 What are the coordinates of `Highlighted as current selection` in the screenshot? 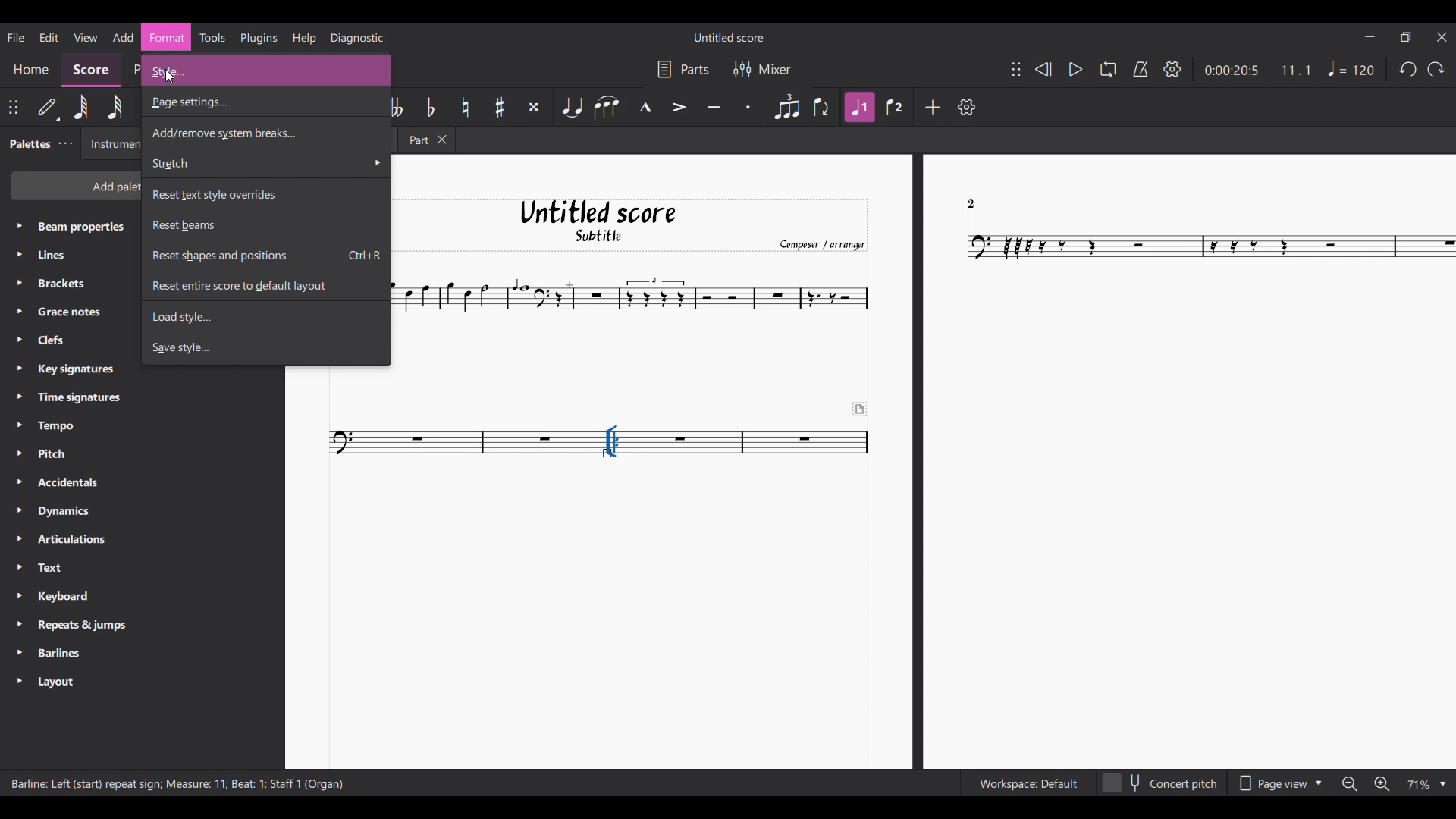 It's located at (166, 37).